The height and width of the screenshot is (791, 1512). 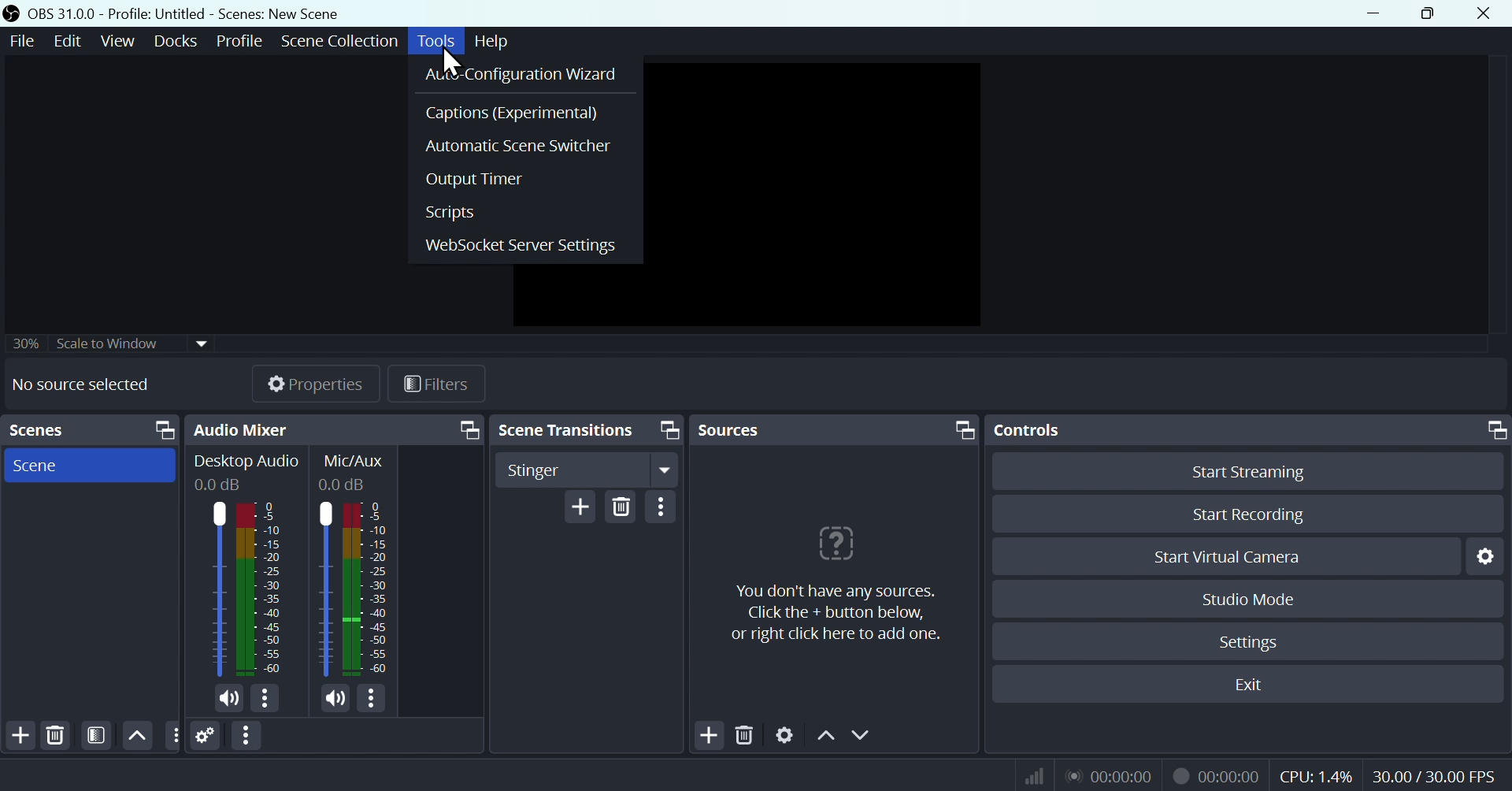 I want to click on Control, so click(x=1038, y=431).